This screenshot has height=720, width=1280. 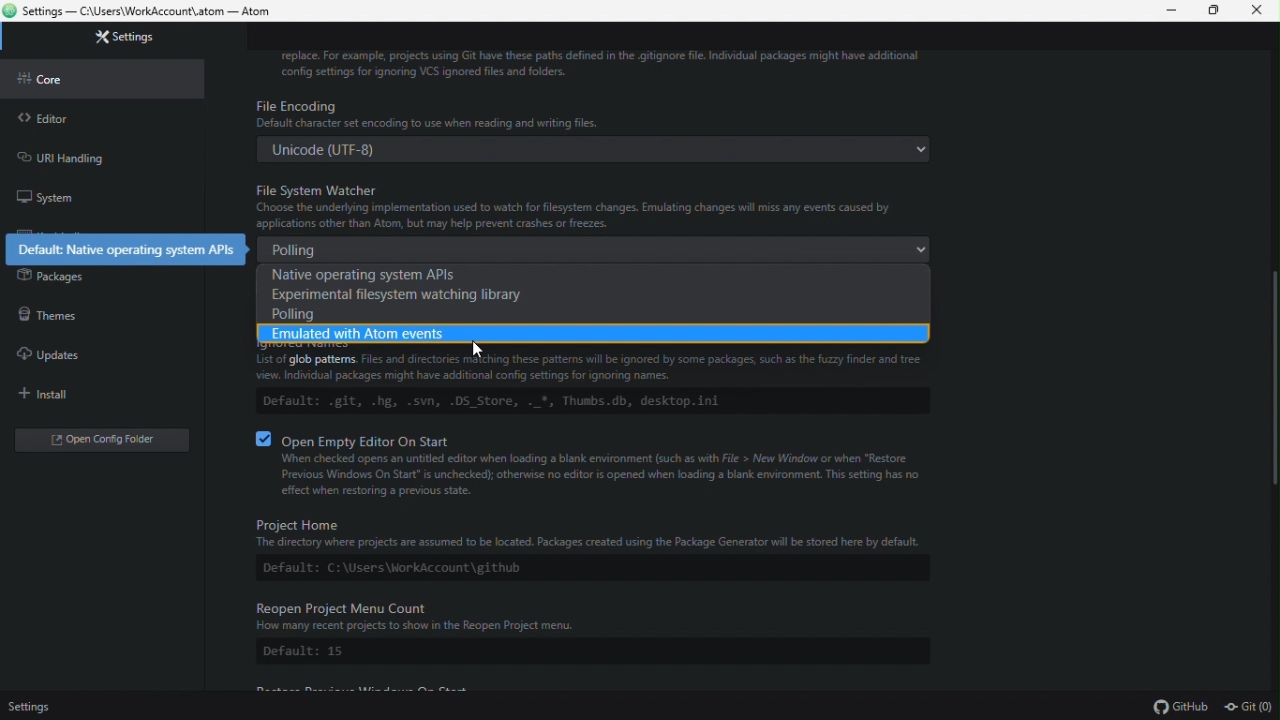 What do you see at coordinates (495, 404) in the screenshot?
I see `Default: .git, .hg, .svn, .DS Store, ._*, Thumbs.db, desktop.ini` at bounding box center [495, 404].